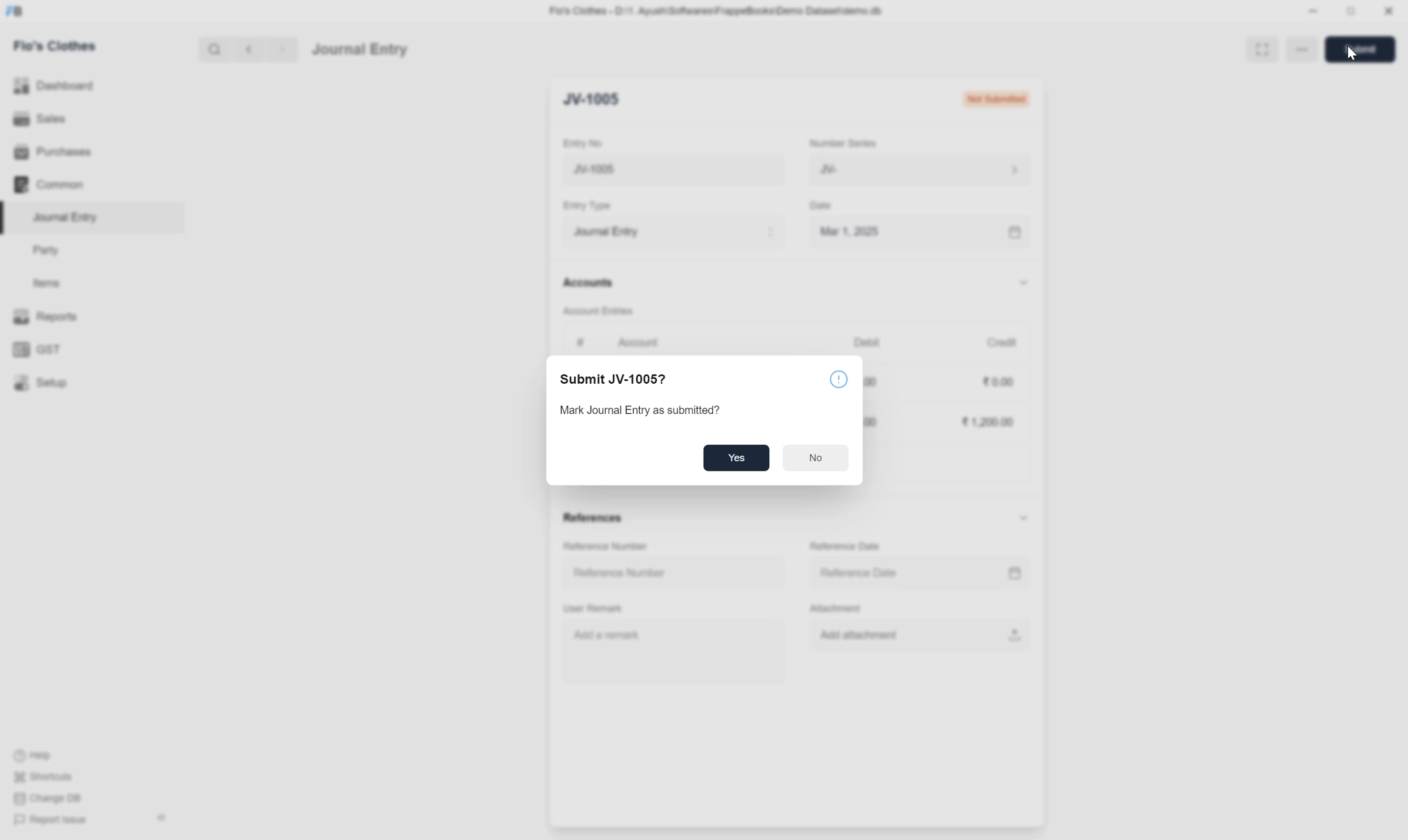 The height and width of the screenshot is (840, 1408). What do you see at coordinates (15, 11) in the screenshot?
I see `FB` at bounding box center [15, 11].